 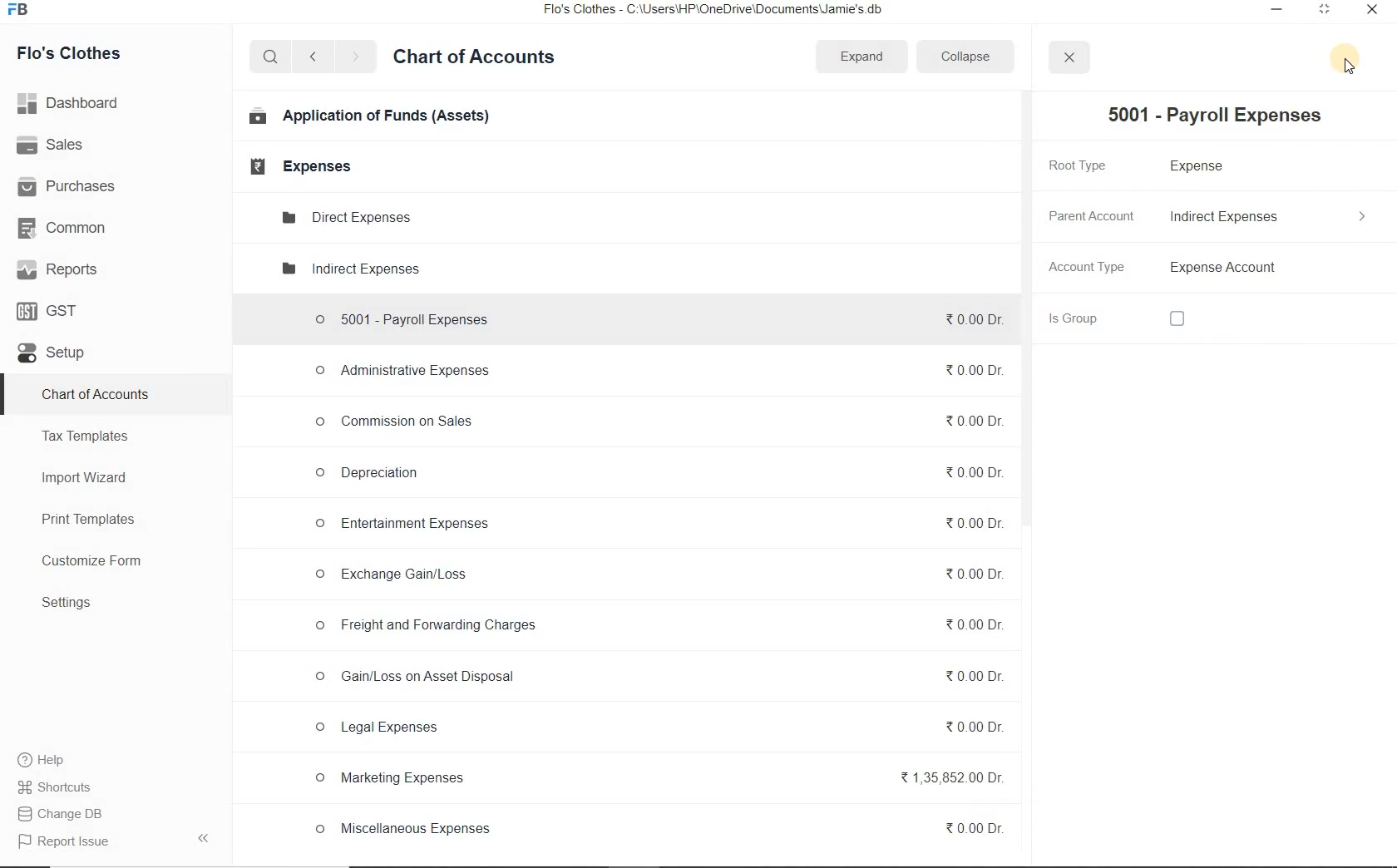 I want to click on Settings, so click(x=67, y=602).